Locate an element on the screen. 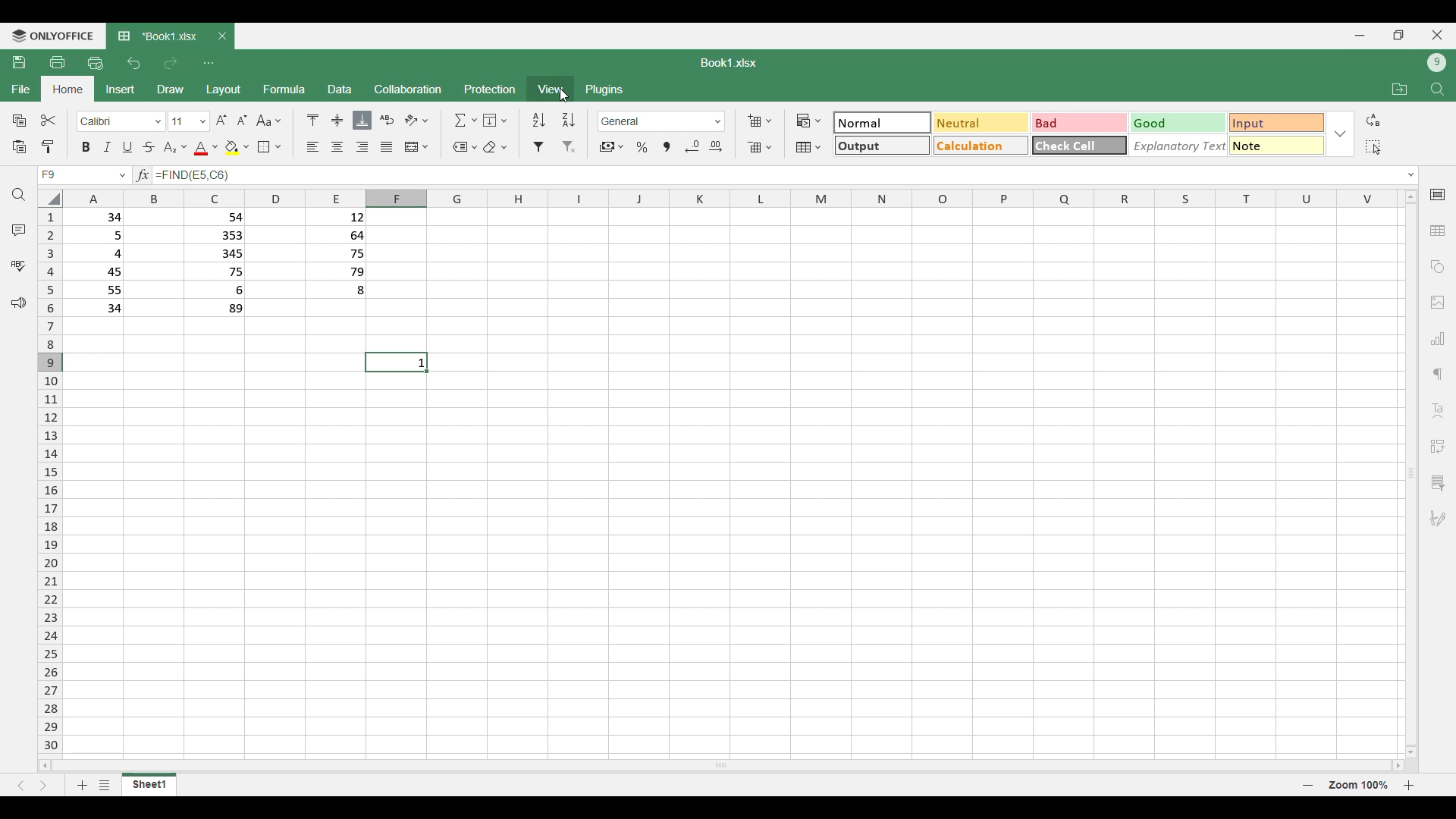  Add shapes is located at coordinates (1438, 266).